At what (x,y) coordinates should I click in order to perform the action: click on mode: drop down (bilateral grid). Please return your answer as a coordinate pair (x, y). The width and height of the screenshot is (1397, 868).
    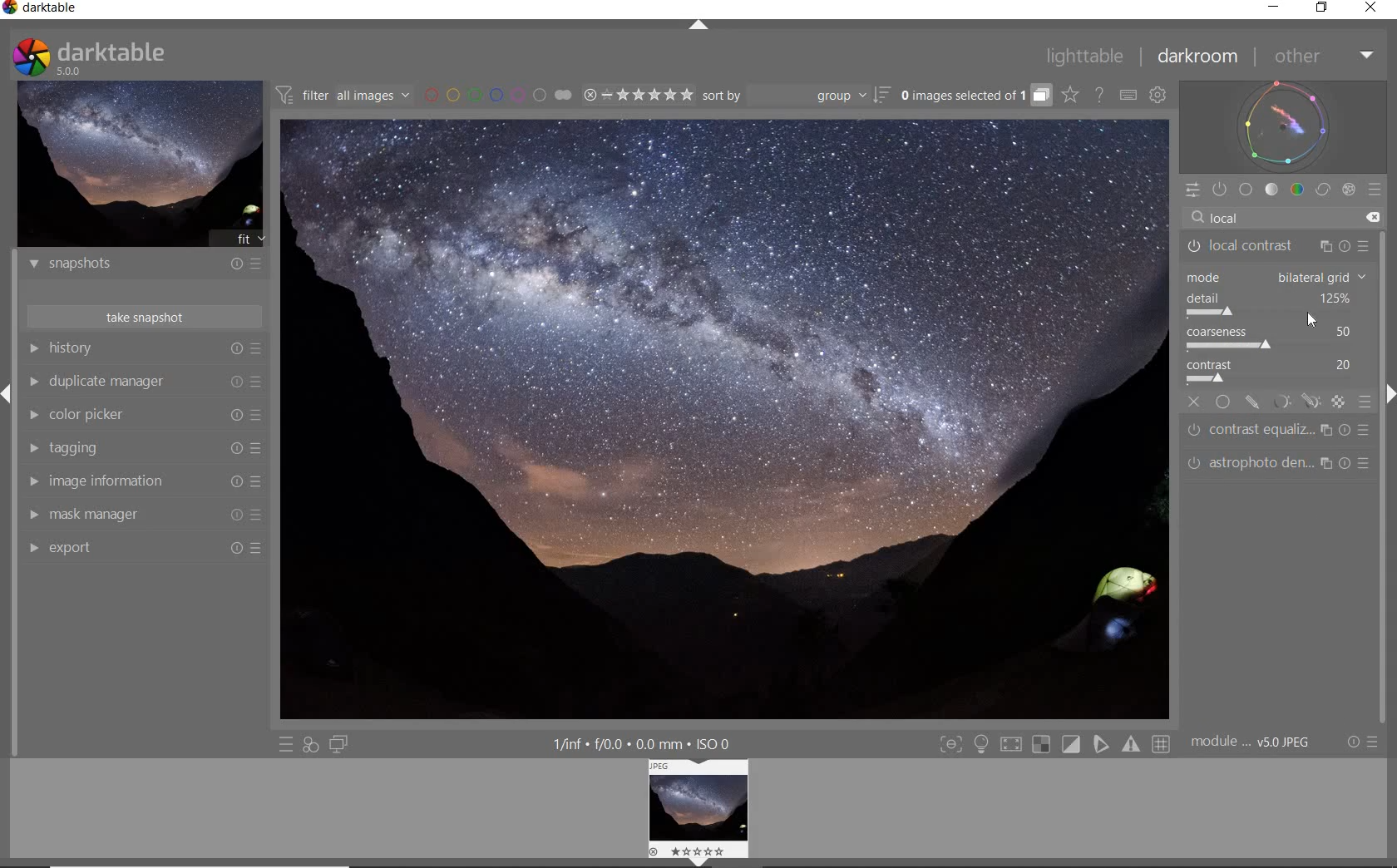
    Looking at the image, I should click on (1273, 275).